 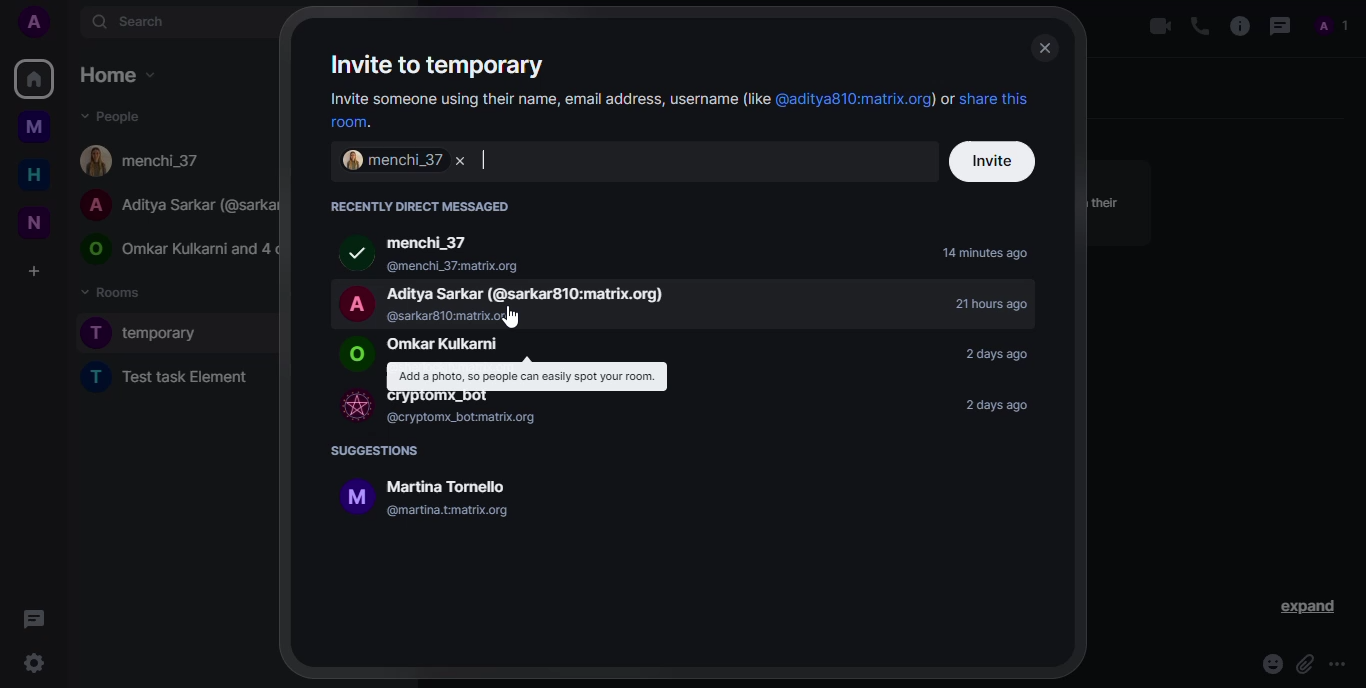 I want to click on Invite someone using their name, email address, username (like @aditya810:matrix.org) or share this room., so click(x=683, y=109).